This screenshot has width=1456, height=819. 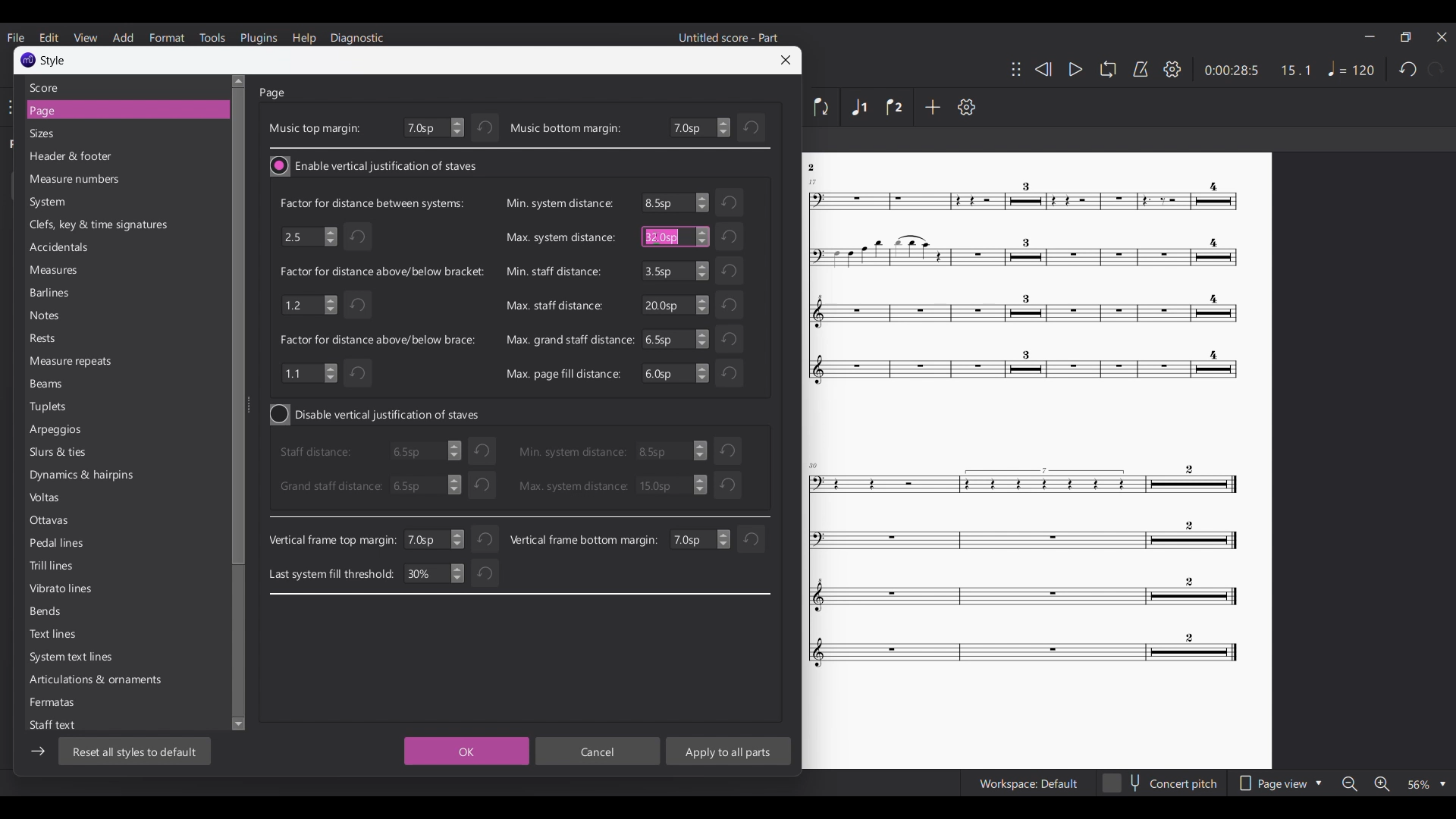 What do you see at coordinates (570, 339) in the screenshot?
I see `Max. grand staff distance` at bounding box center [570, 339].